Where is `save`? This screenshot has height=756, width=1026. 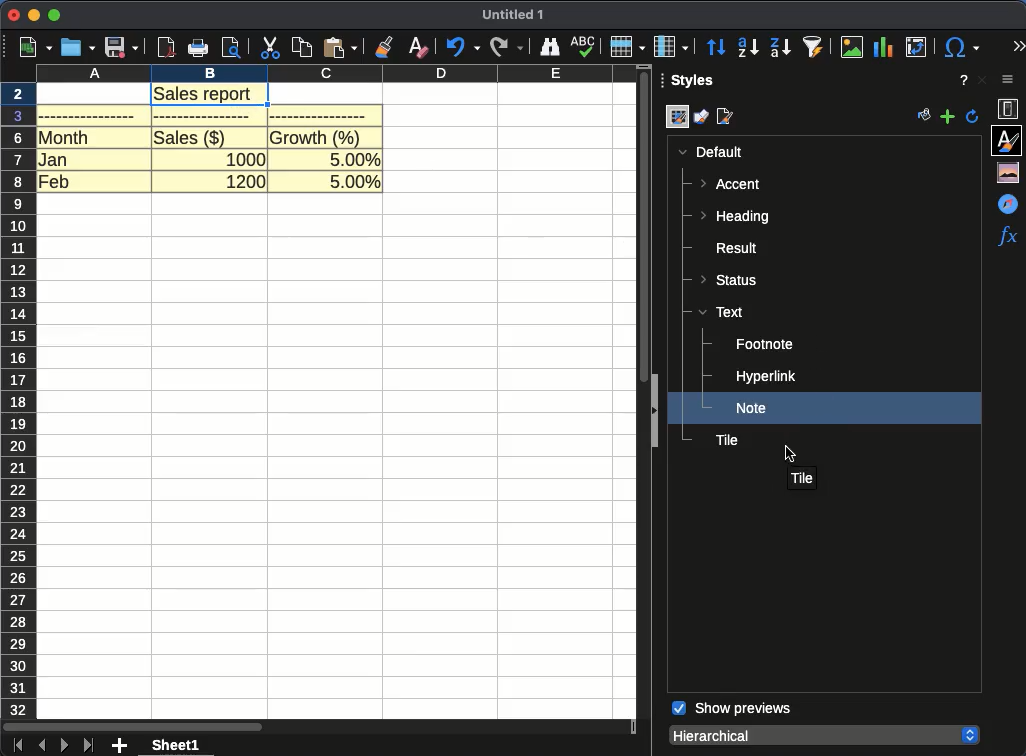
save is located at coordinates (122, 47).